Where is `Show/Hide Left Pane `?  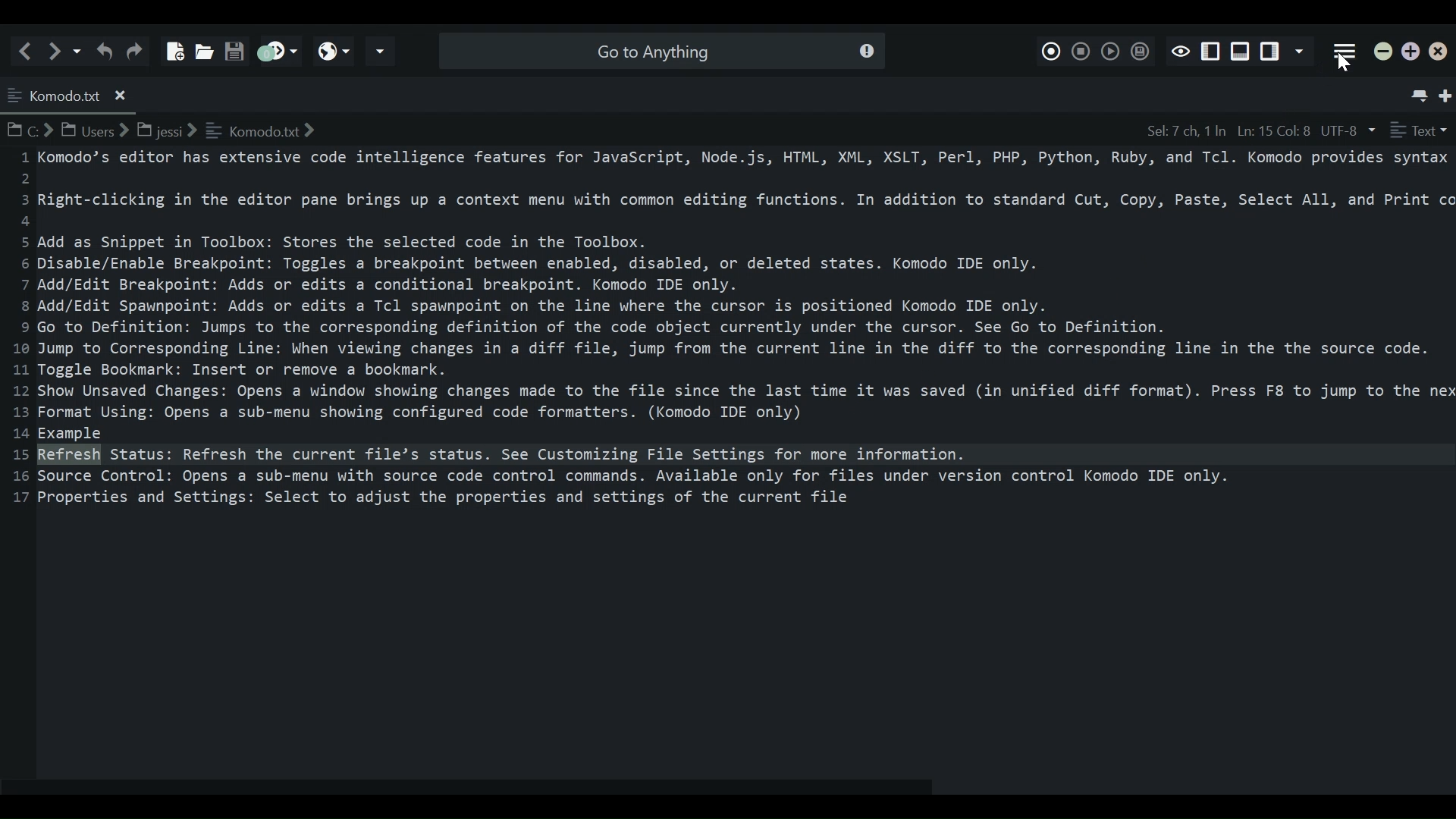 Show/Hide Left Pane  is located at coordinates (1272, 52).